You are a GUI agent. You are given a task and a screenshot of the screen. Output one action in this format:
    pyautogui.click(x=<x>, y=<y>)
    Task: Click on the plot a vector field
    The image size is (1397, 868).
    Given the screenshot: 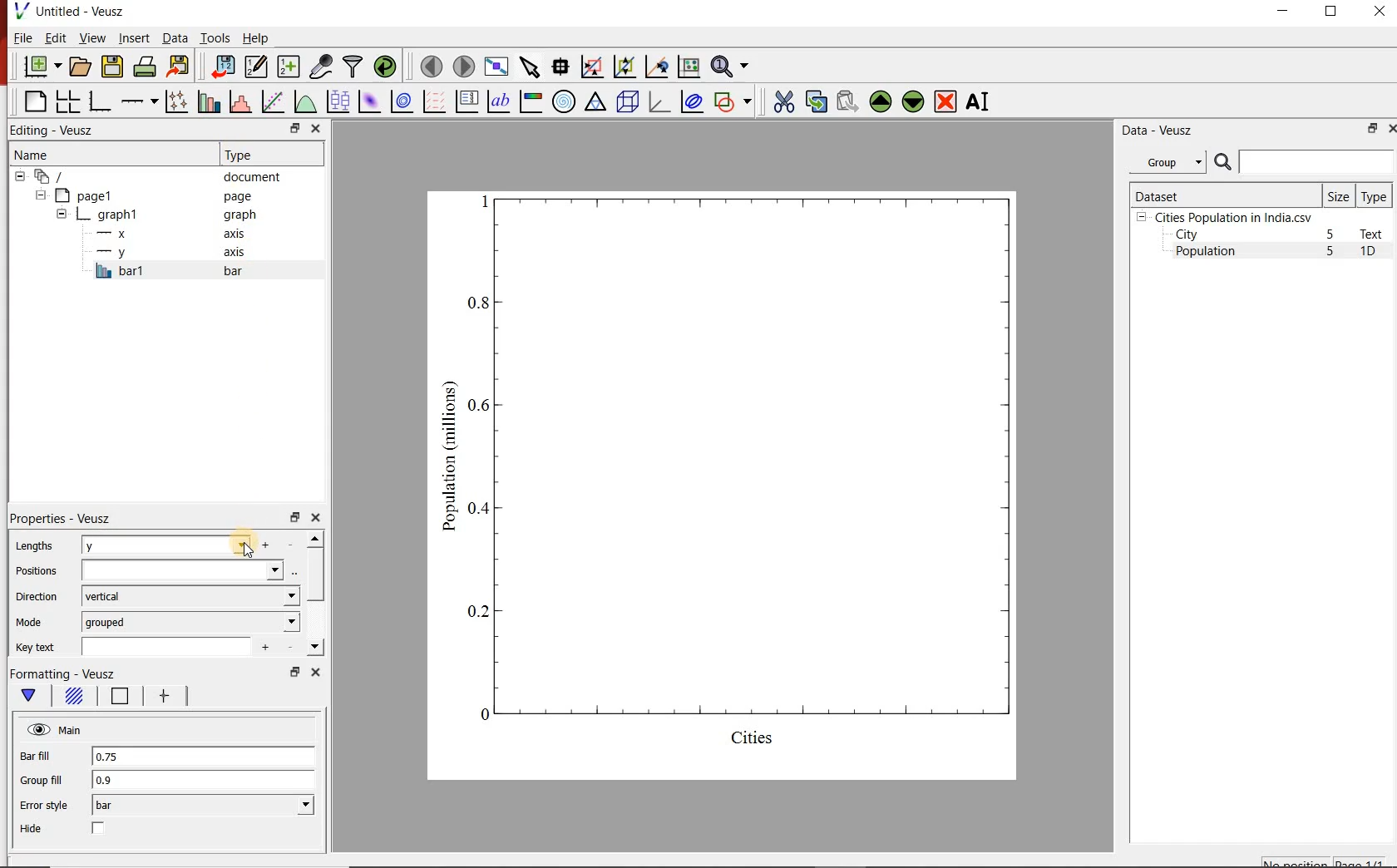 What is the action you would take?
    pyautogui.click(x=432, y=101)
    